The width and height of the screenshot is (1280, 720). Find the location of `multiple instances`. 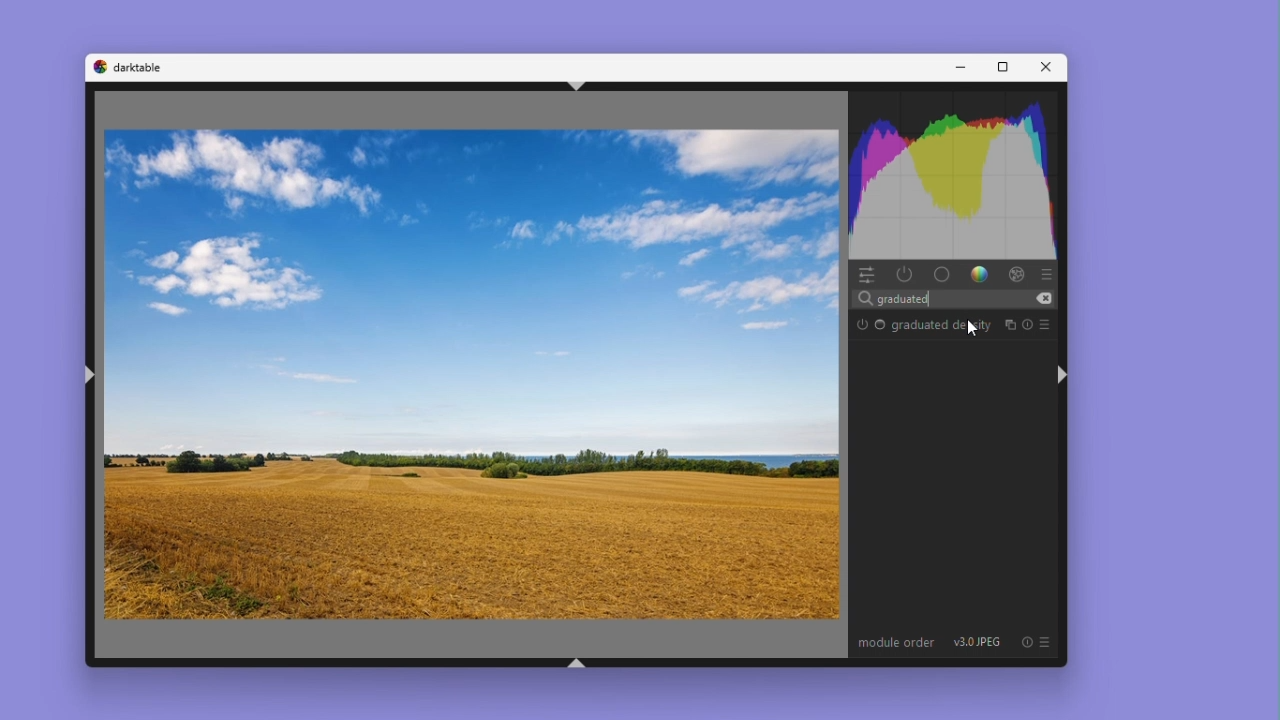

multiple instances is located at coordinates (1009, 323).